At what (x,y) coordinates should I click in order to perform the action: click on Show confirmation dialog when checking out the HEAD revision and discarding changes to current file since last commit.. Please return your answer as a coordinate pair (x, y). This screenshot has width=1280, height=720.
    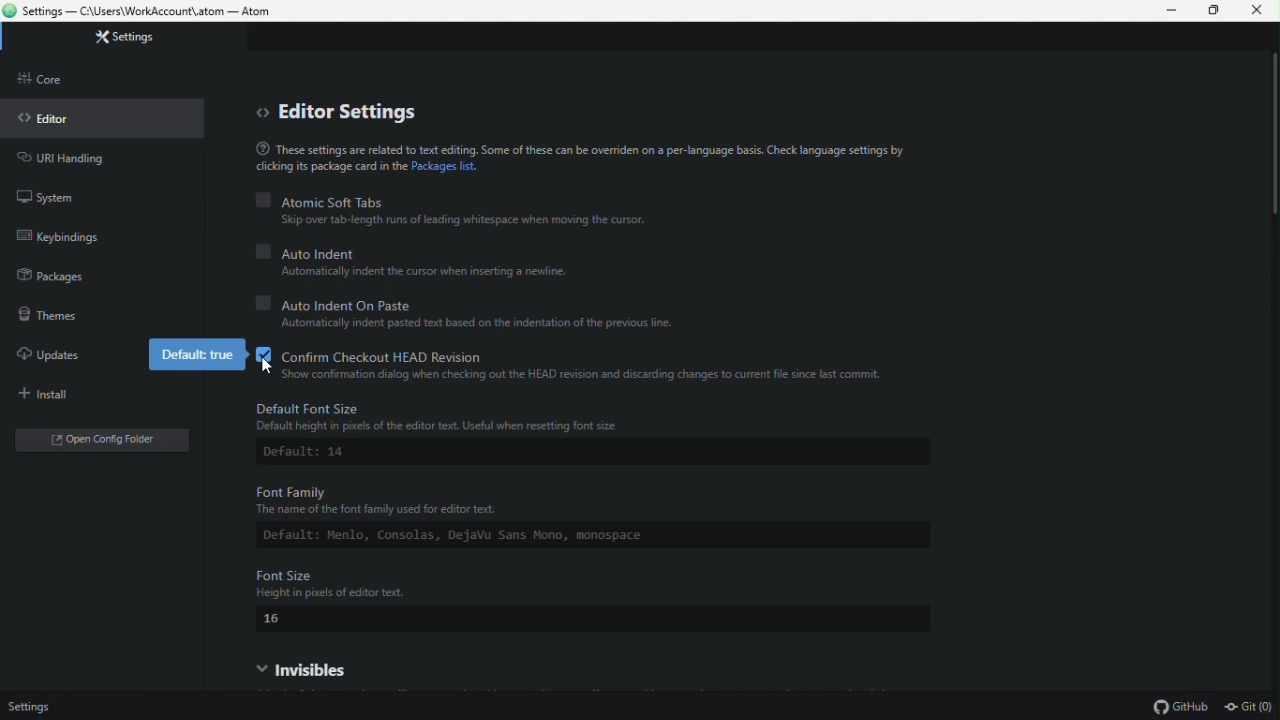
    Looking at the image, I should click on (575, 375).